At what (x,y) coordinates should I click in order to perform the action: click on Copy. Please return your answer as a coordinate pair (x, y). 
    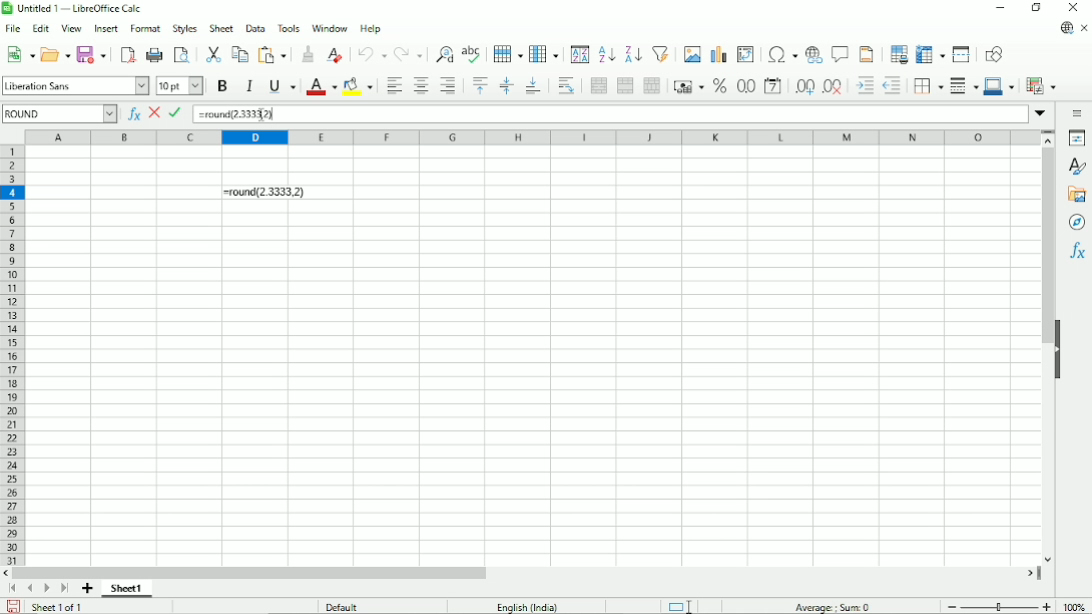
    Looking at the image, I should click on (239, 55).